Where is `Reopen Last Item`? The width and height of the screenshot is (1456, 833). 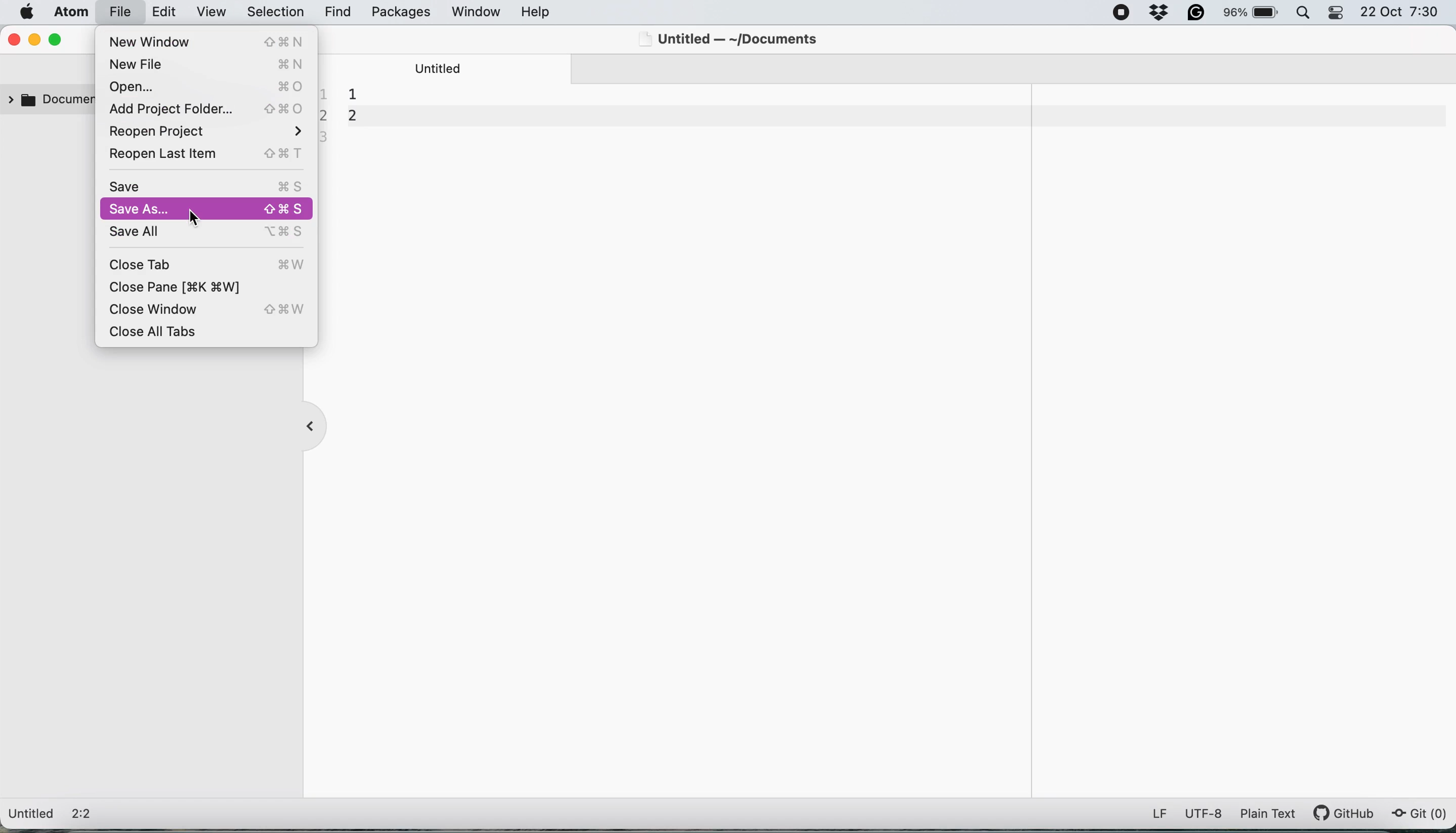 Reopen Last Item is located at coordinates (205, 152).